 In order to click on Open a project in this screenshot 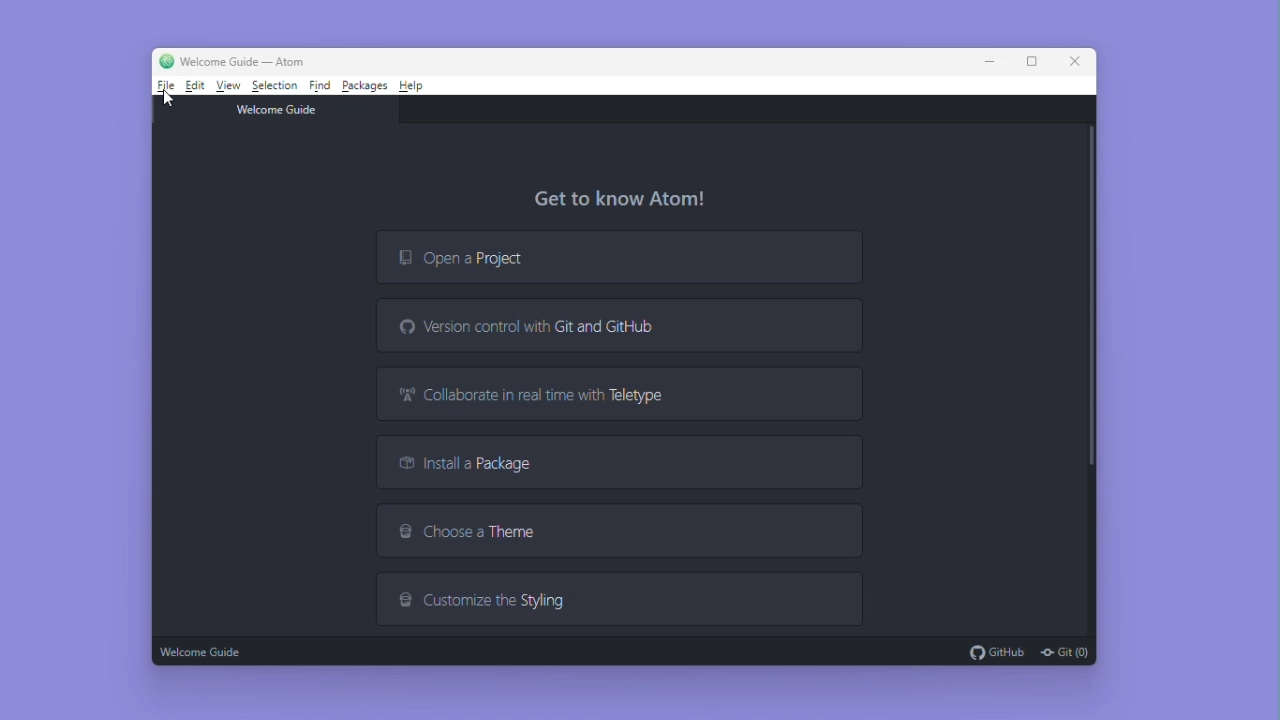, I will do `click(615, 257)`.